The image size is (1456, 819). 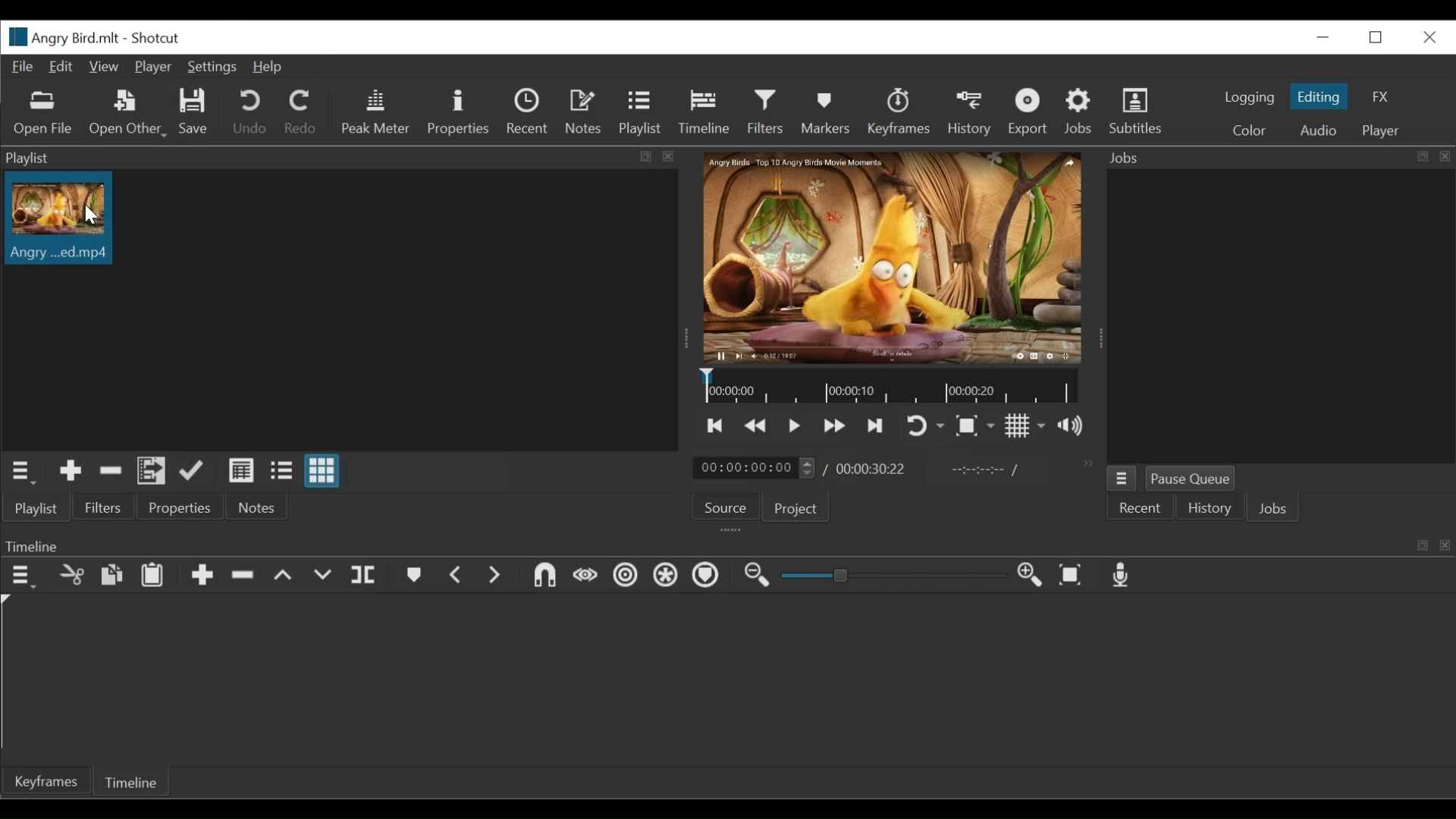 I want to click on Notes, so click(x=262, y=506).